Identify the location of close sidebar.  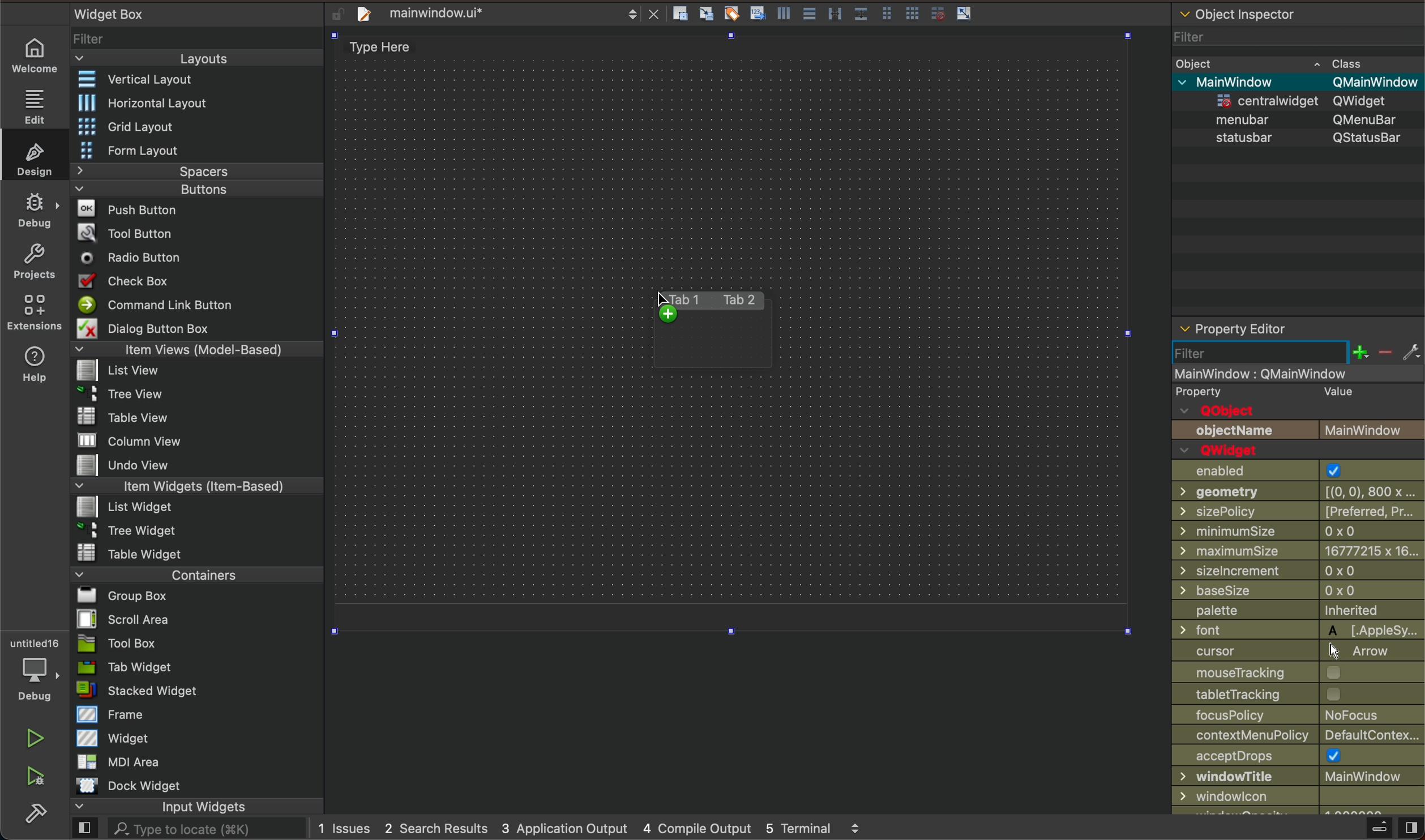
(1389, 828).